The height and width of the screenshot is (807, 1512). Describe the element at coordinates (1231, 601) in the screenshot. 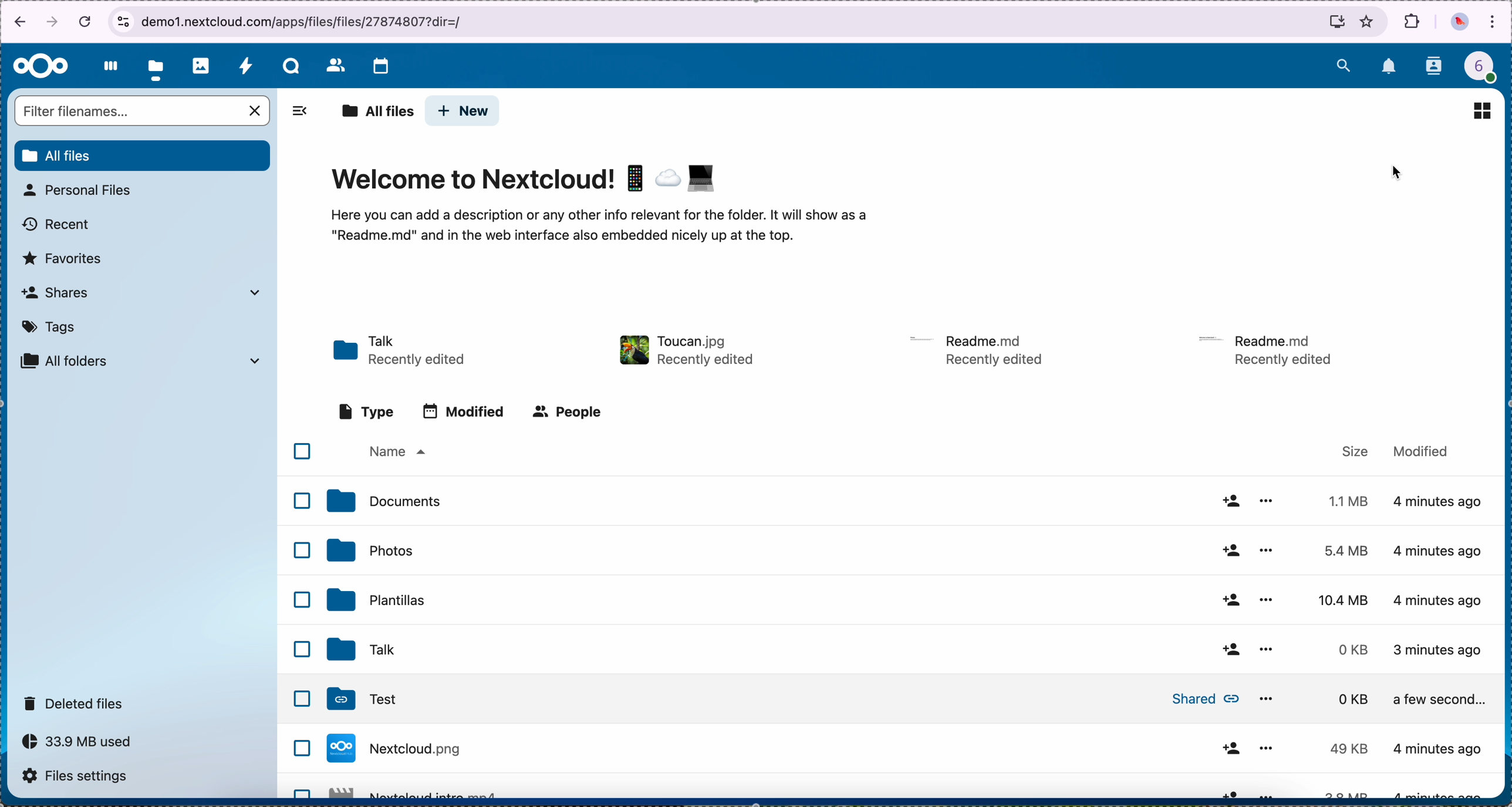

I see `share` at that location.